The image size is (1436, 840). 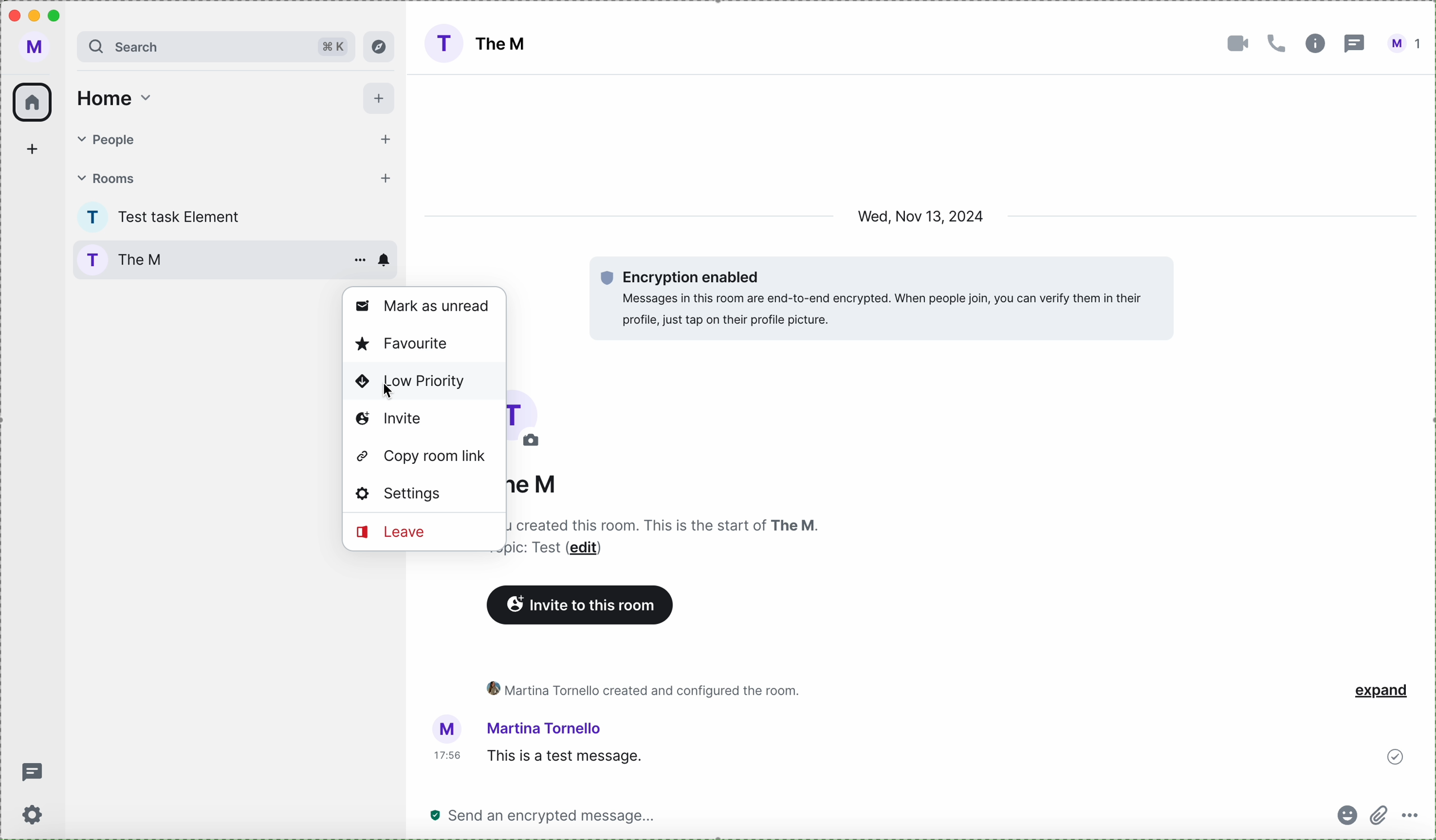 What do you see at coordinates (378, 47) in the screenshot?
I see `explore` at bounding box center [378, 47].